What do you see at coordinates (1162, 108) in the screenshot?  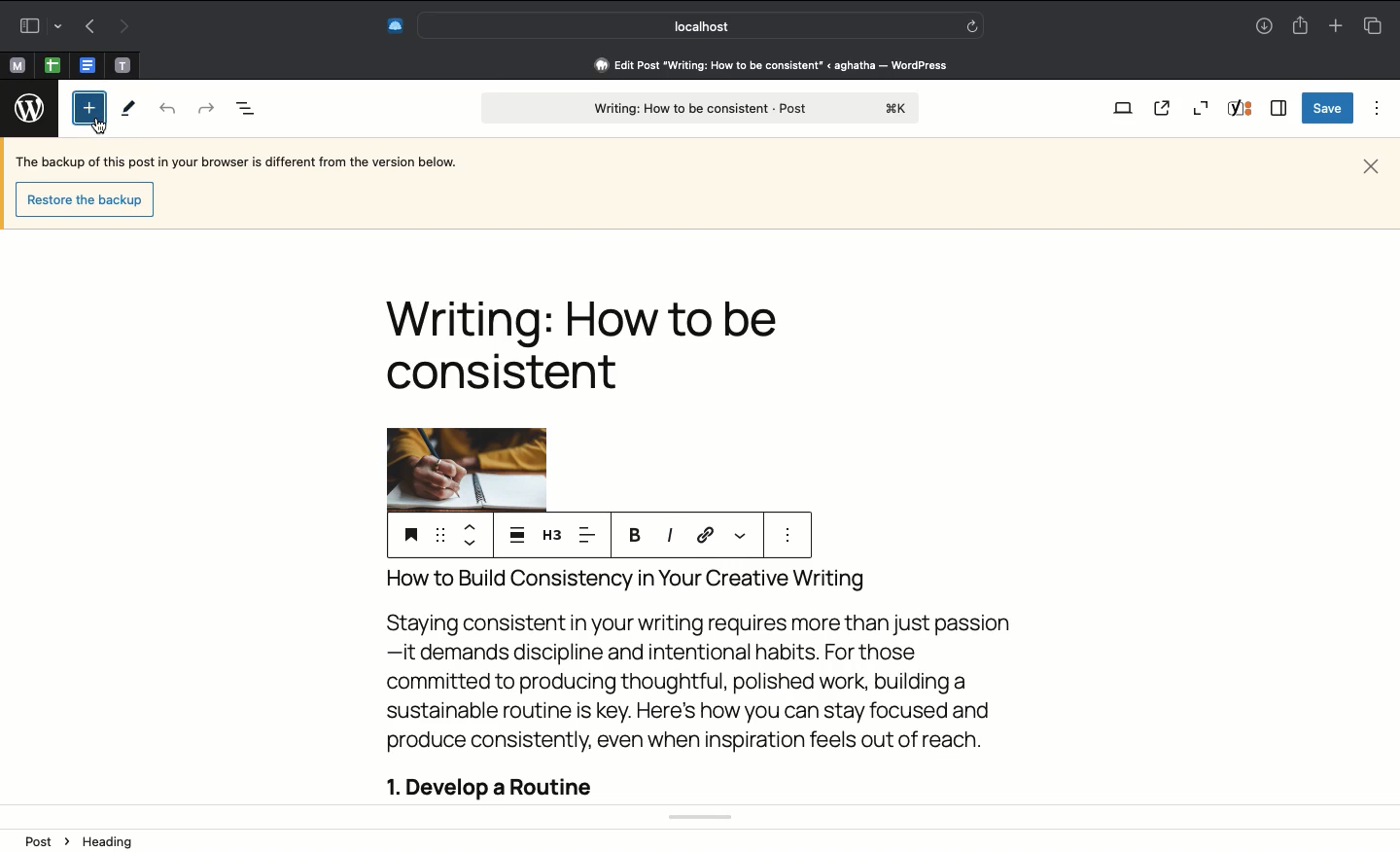 I see `View post` at bounding box center [1162, 108].